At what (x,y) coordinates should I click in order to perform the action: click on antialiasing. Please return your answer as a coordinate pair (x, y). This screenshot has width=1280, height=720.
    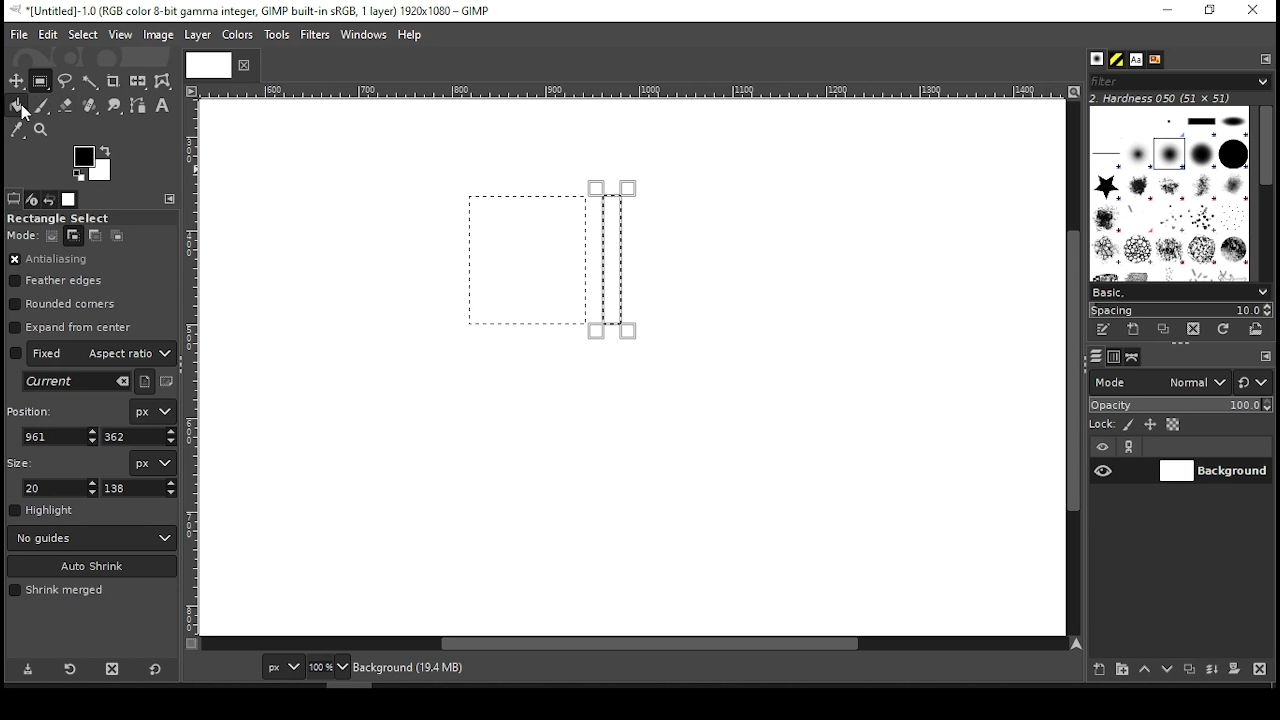
    Looking at the image, I should click on (49, 260).